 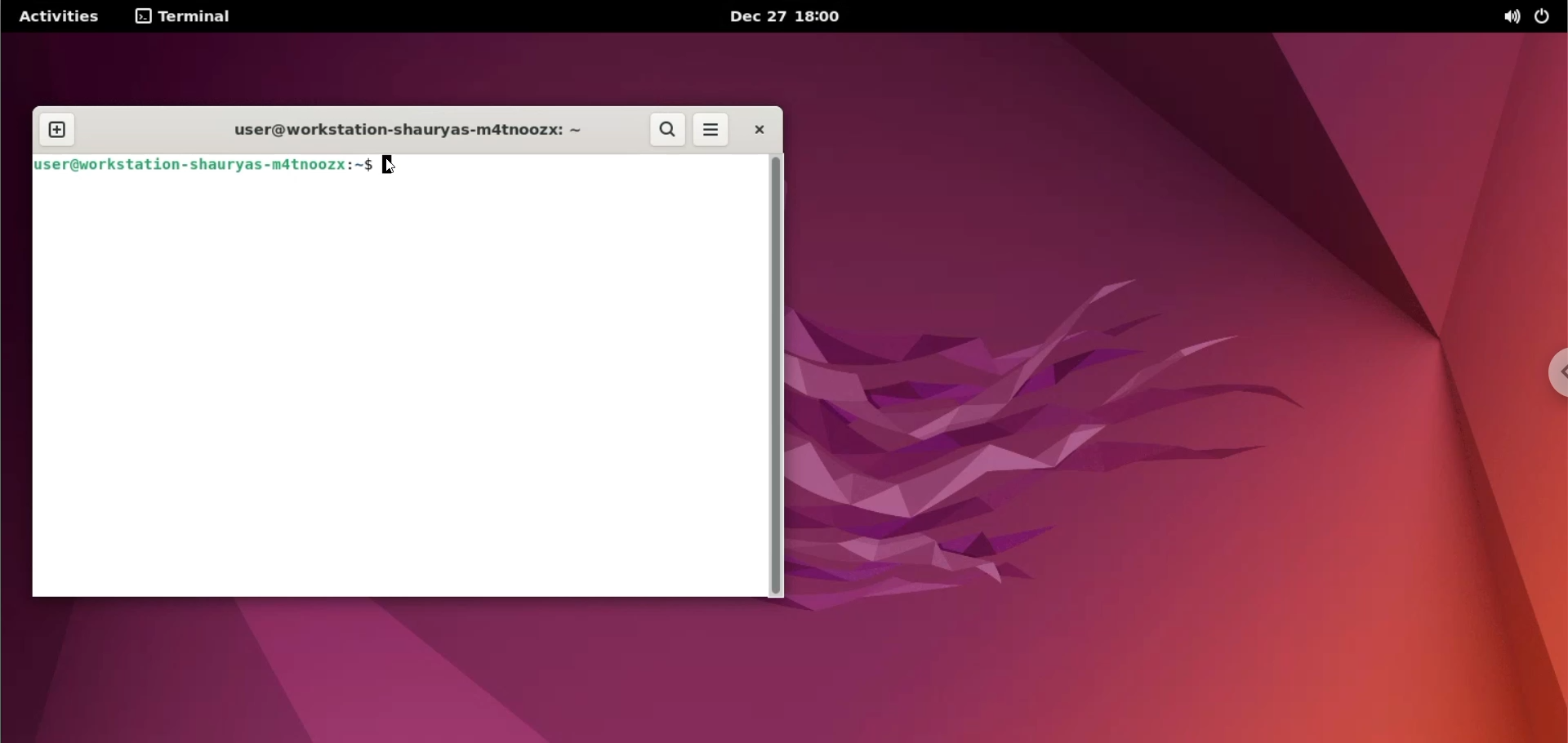 What do you see at coordinates (189, 17) in the screenshot?
I see `terminal menu` at bounding box center [189, 17].